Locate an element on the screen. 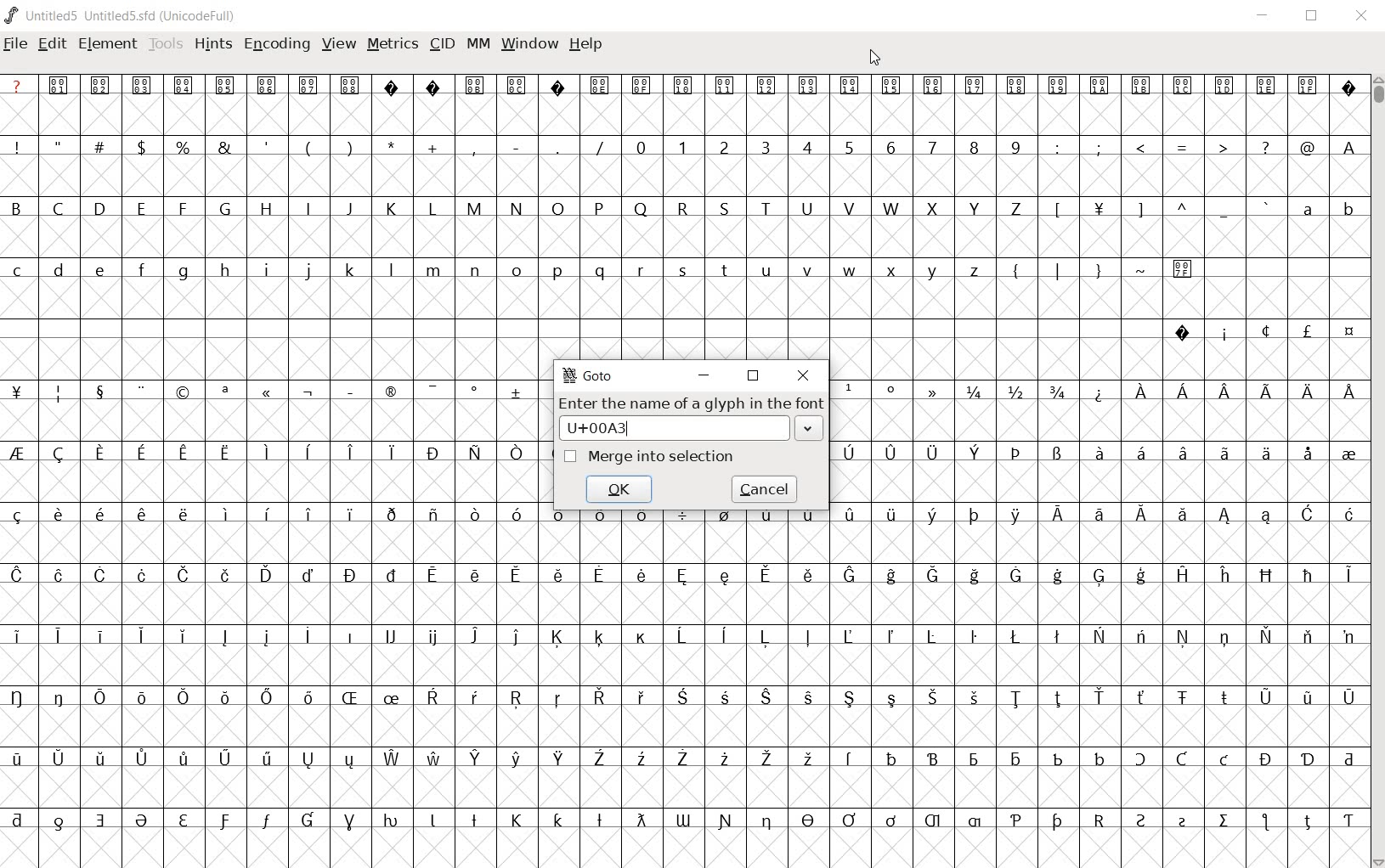  Symbol is located at coordinates (975, 636).